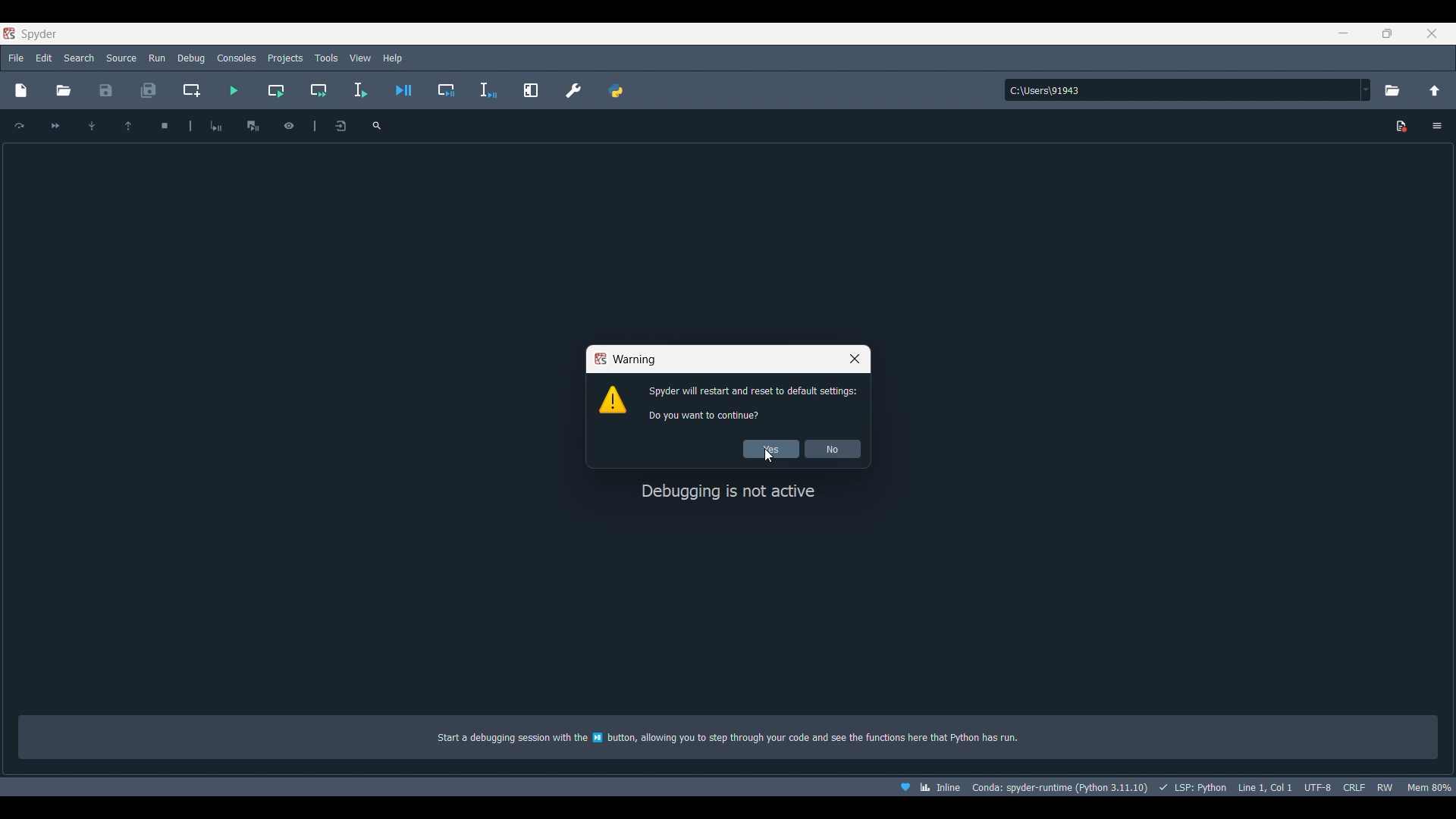  What do you see at coordinates (17, 57) in the screenshot?
I see `File menu` at bounding box center [17, 57].